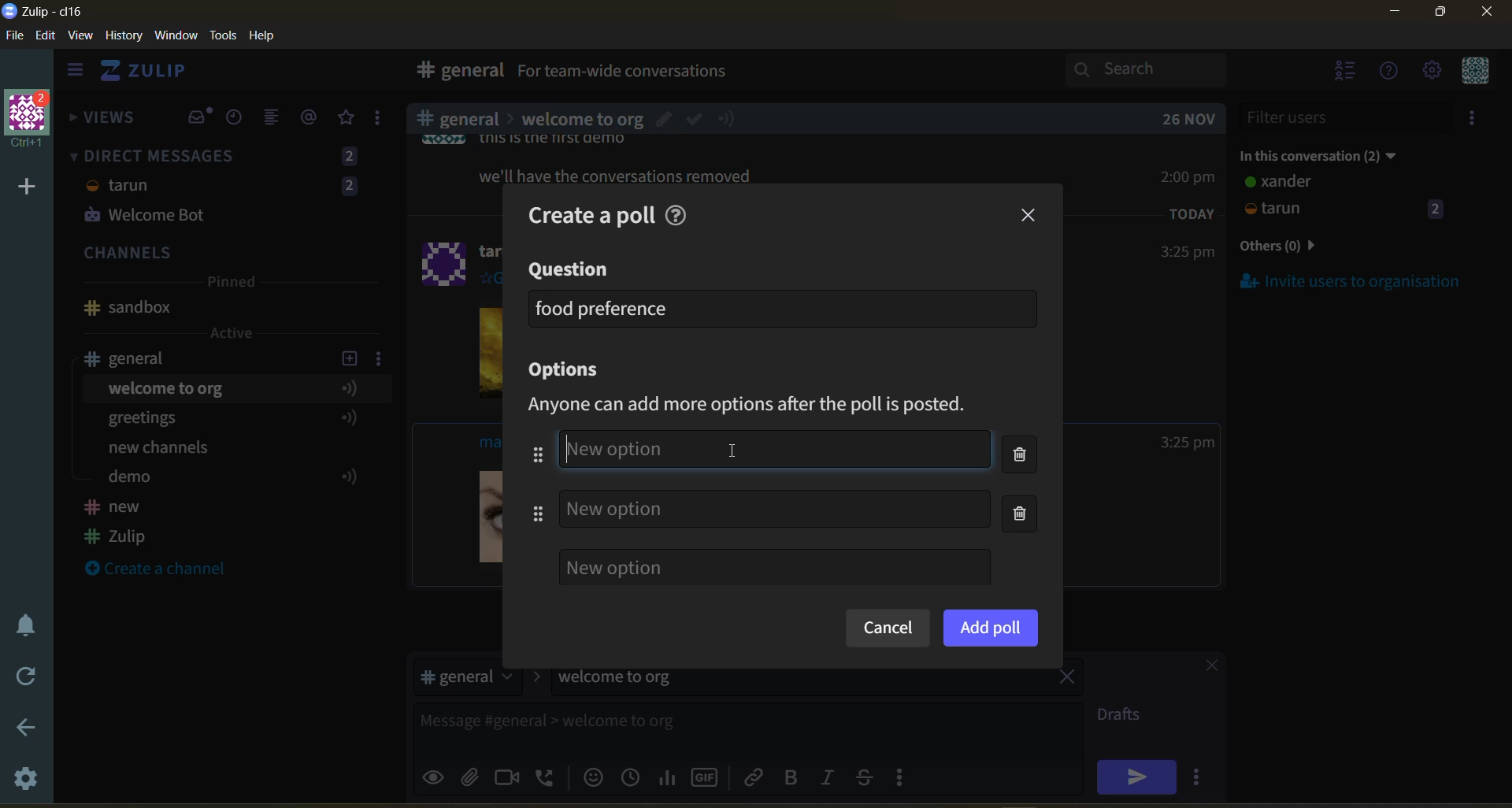 Image resolution: width=1512 pixels, height=808 pixels. Describe the element at coordinates (1335, 153) in the screenshot. I see `in this conversation` at that location.